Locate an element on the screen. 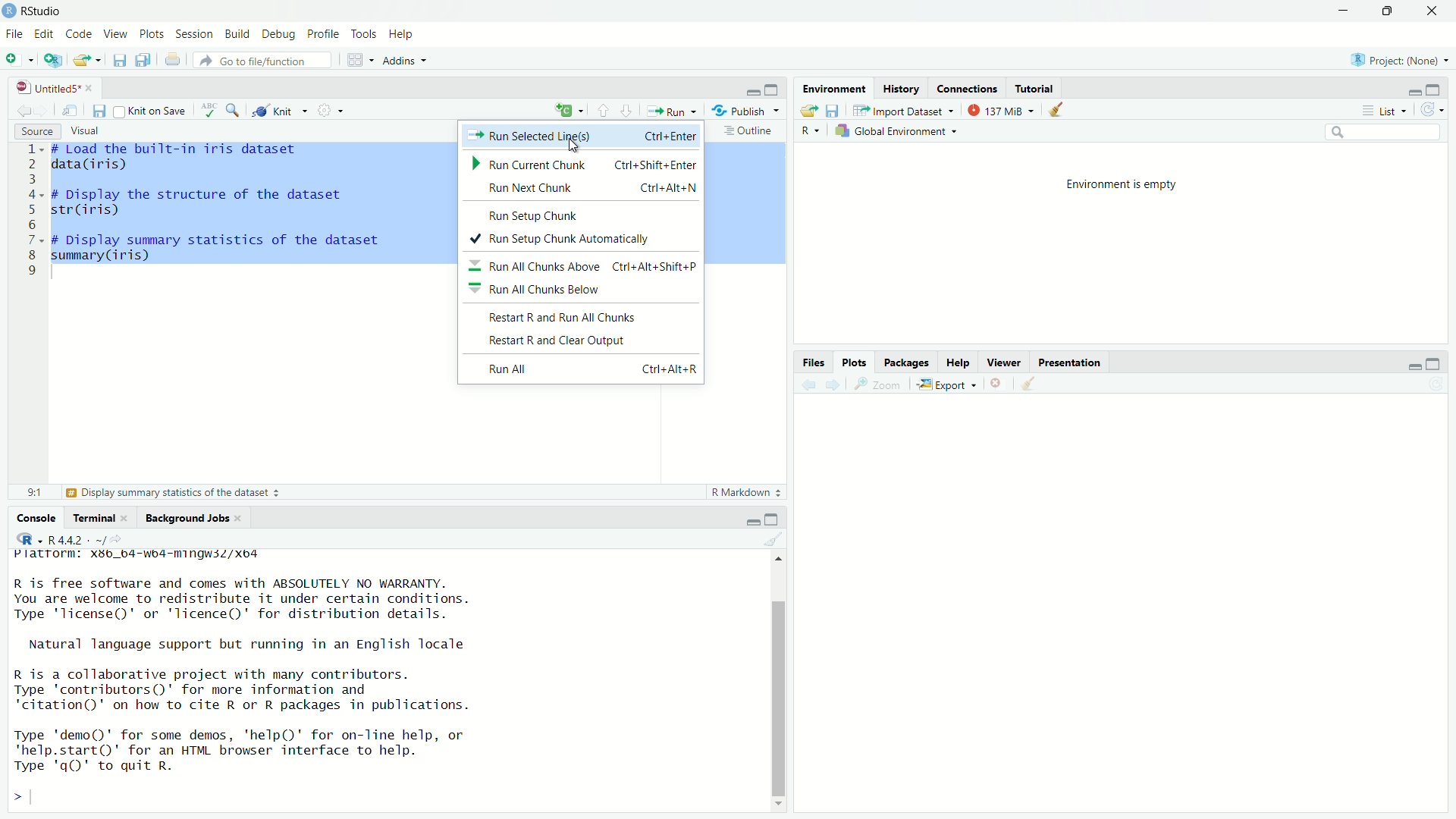 The height and width of the screenshot is (819, 1456). New Command is located at coordinates (570, 108).